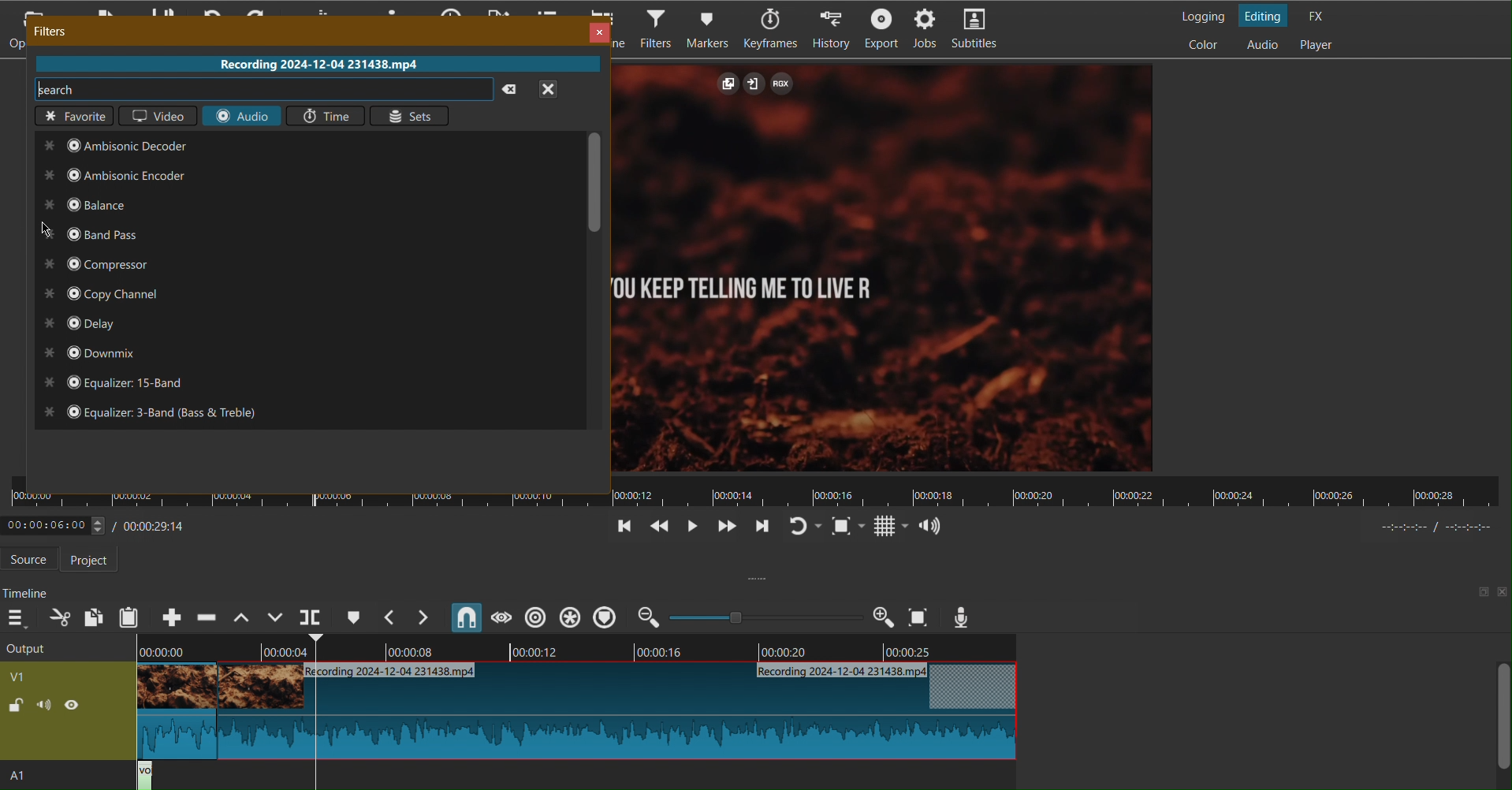  What do you see at coordinates (1433, 528) in the screenshot?
I see `time` at bounding box center [1433, 528].